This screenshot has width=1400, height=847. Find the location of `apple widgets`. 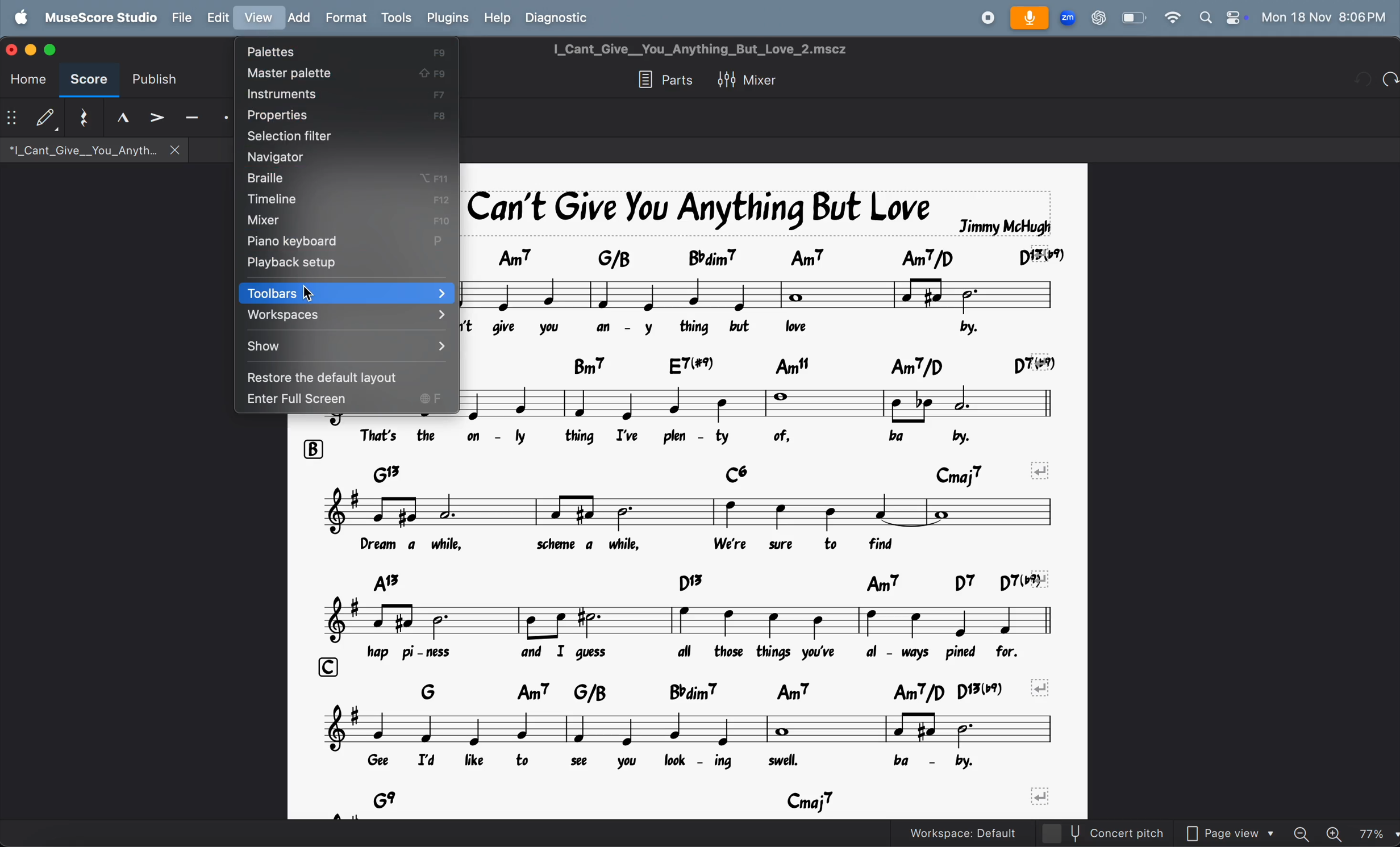

apple widgets is located at coordinates (1222, 18).